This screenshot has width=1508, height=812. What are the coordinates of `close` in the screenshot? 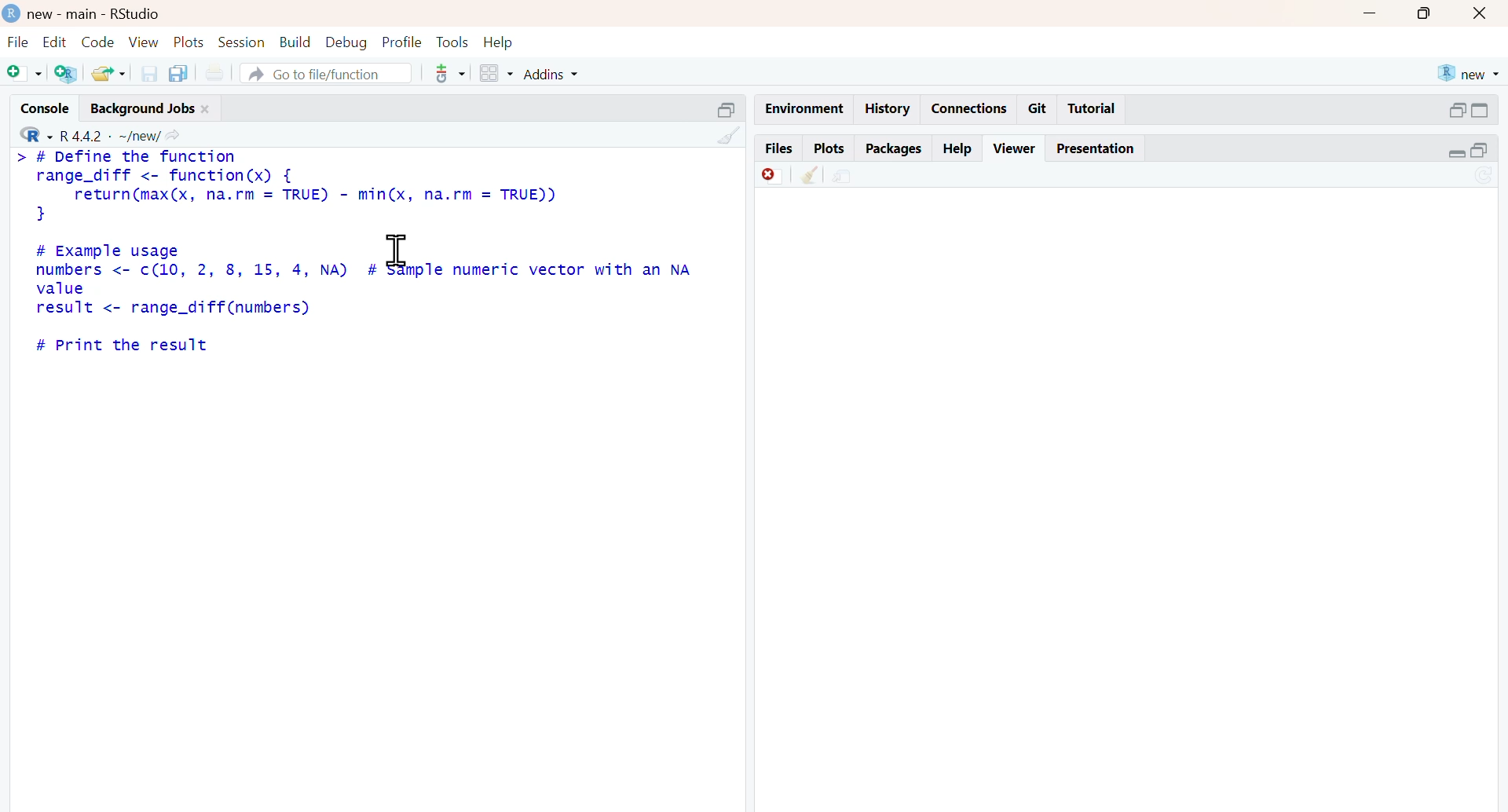 It's located at (207, 110).